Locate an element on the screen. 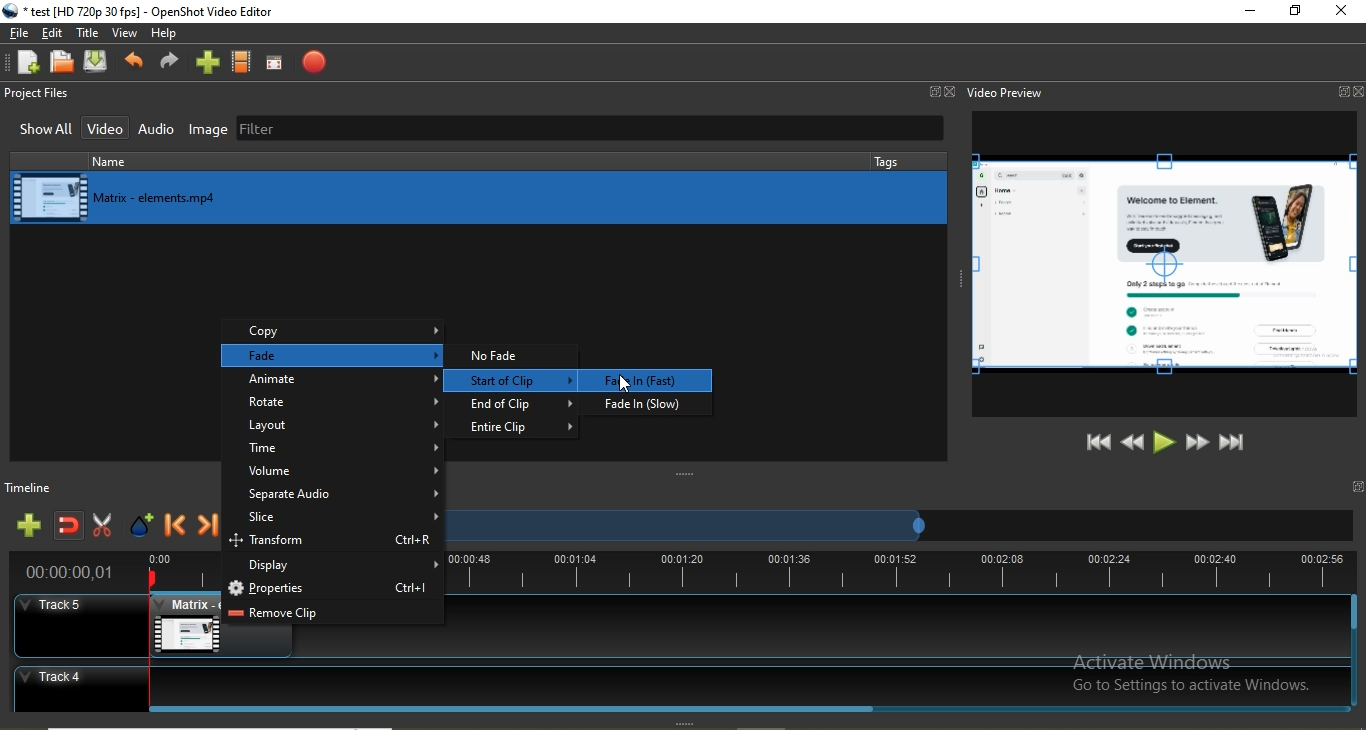 The height and width of the screenshot is (730, 1366). Choose profiles is located at coordinates (242, 62).